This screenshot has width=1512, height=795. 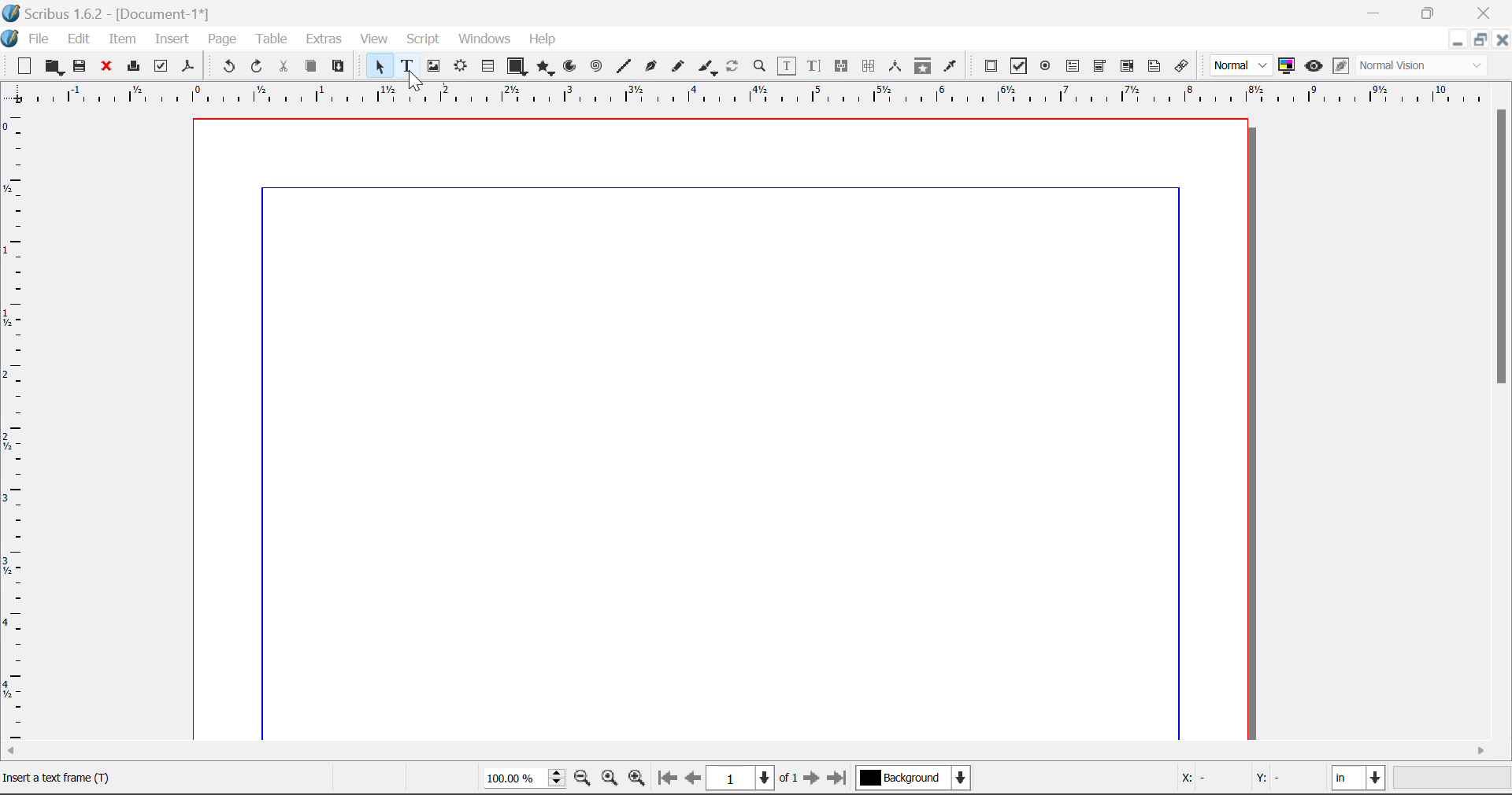 What do you see at coordinates (161, 66) in the screenshot?
I see `Pre-flight Verifier` at bounding box center [161, 66].